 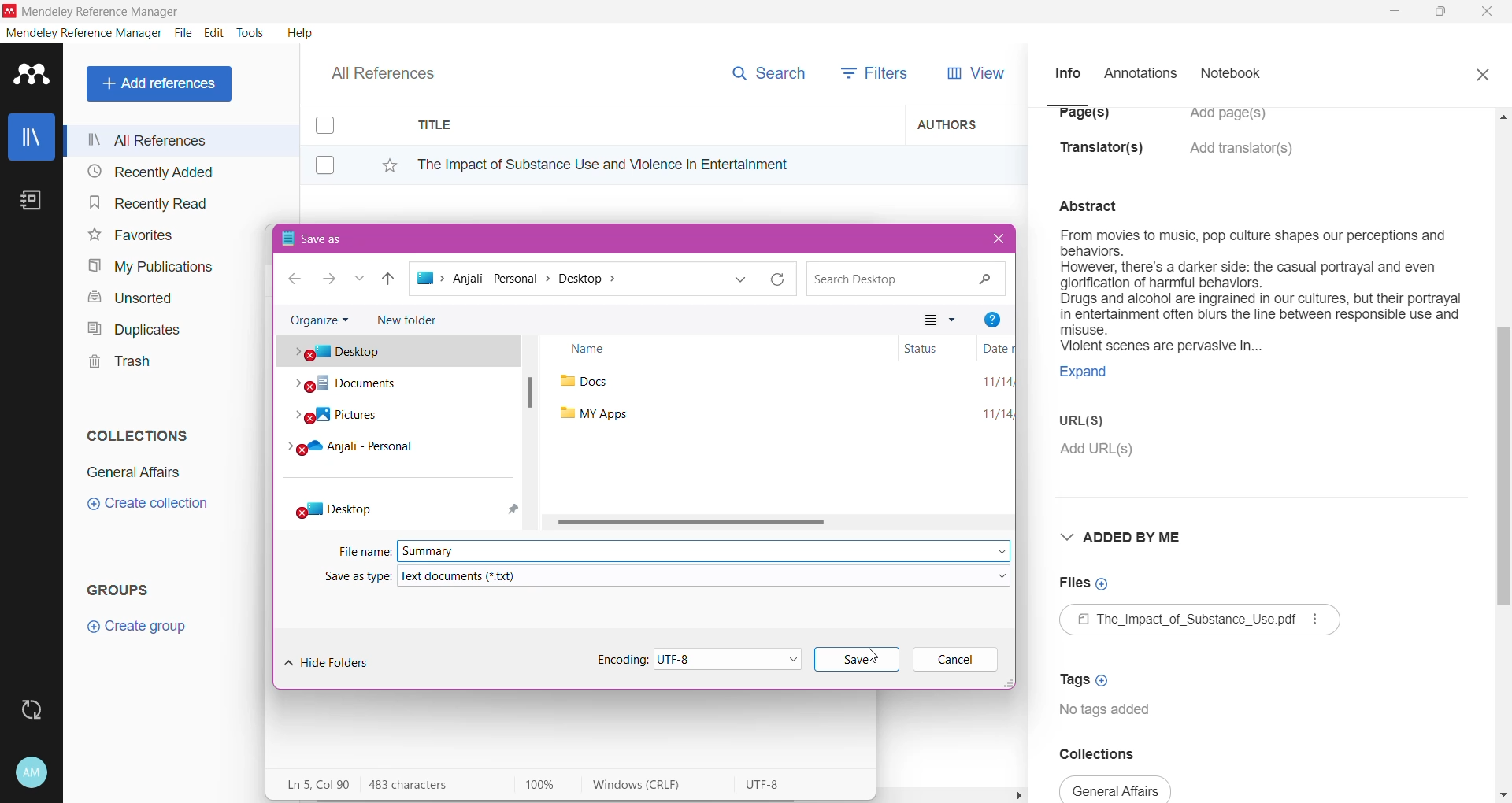 I want to click on Select the required file type, so click(x=705, y=575).